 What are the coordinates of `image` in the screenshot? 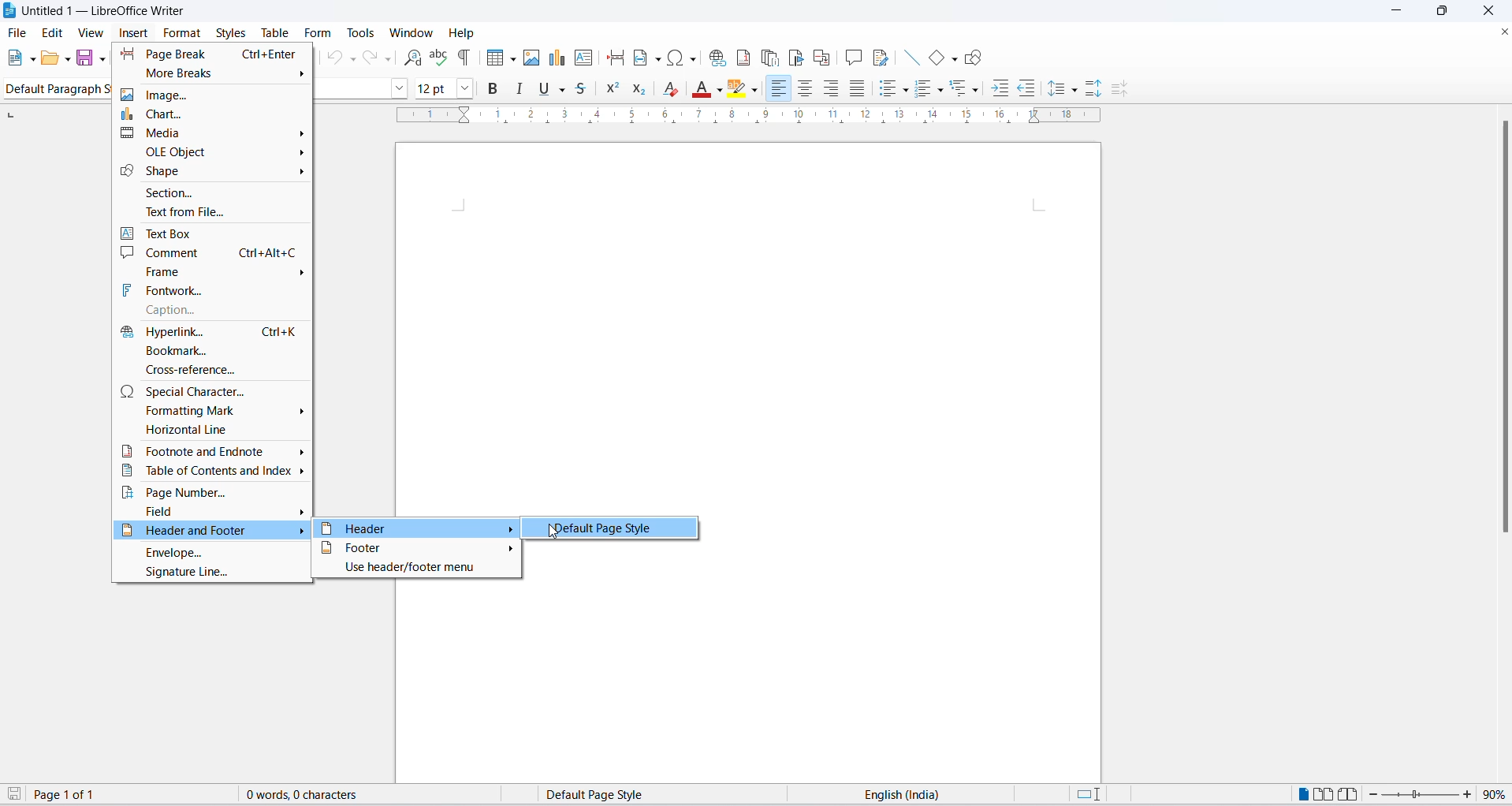 It's located at (213, 97).